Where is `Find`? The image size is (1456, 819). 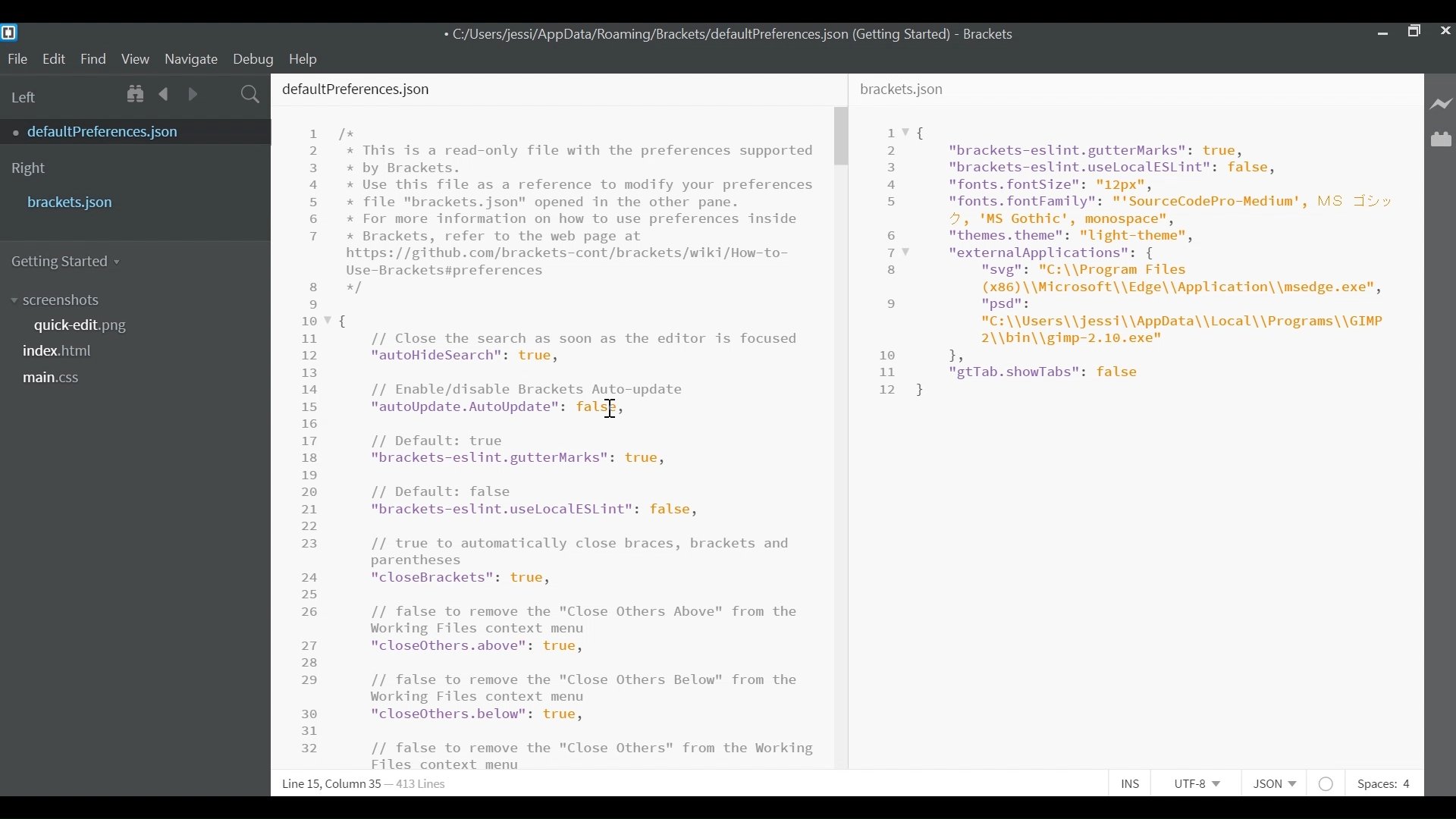
Find is located at coordinates (93, 58).